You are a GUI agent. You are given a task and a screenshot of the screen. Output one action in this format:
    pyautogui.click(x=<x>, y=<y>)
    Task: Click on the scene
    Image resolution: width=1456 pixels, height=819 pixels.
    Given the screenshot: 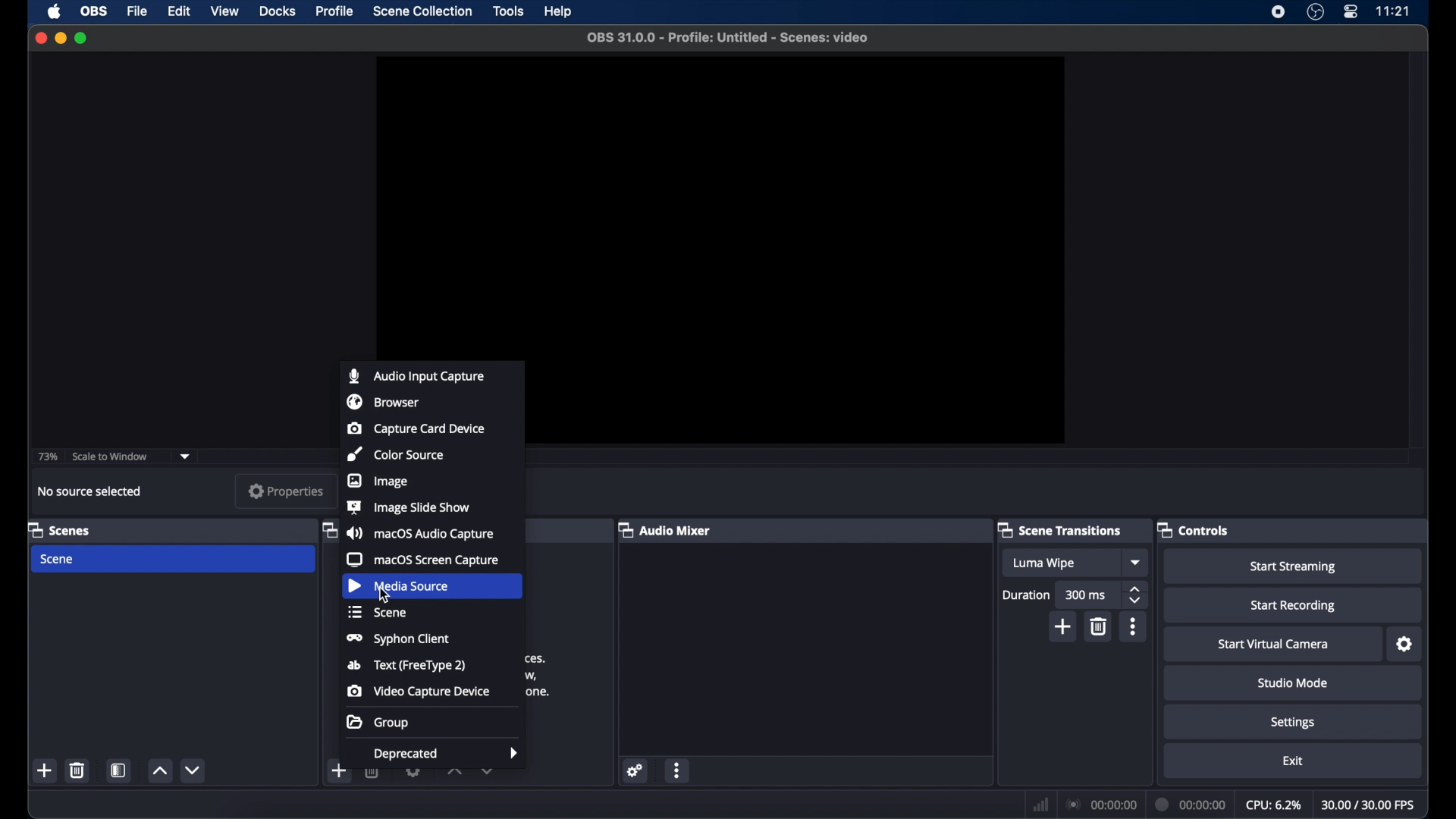 What is the action you would take?
    pyautogui.click(x=378, y=613)
    